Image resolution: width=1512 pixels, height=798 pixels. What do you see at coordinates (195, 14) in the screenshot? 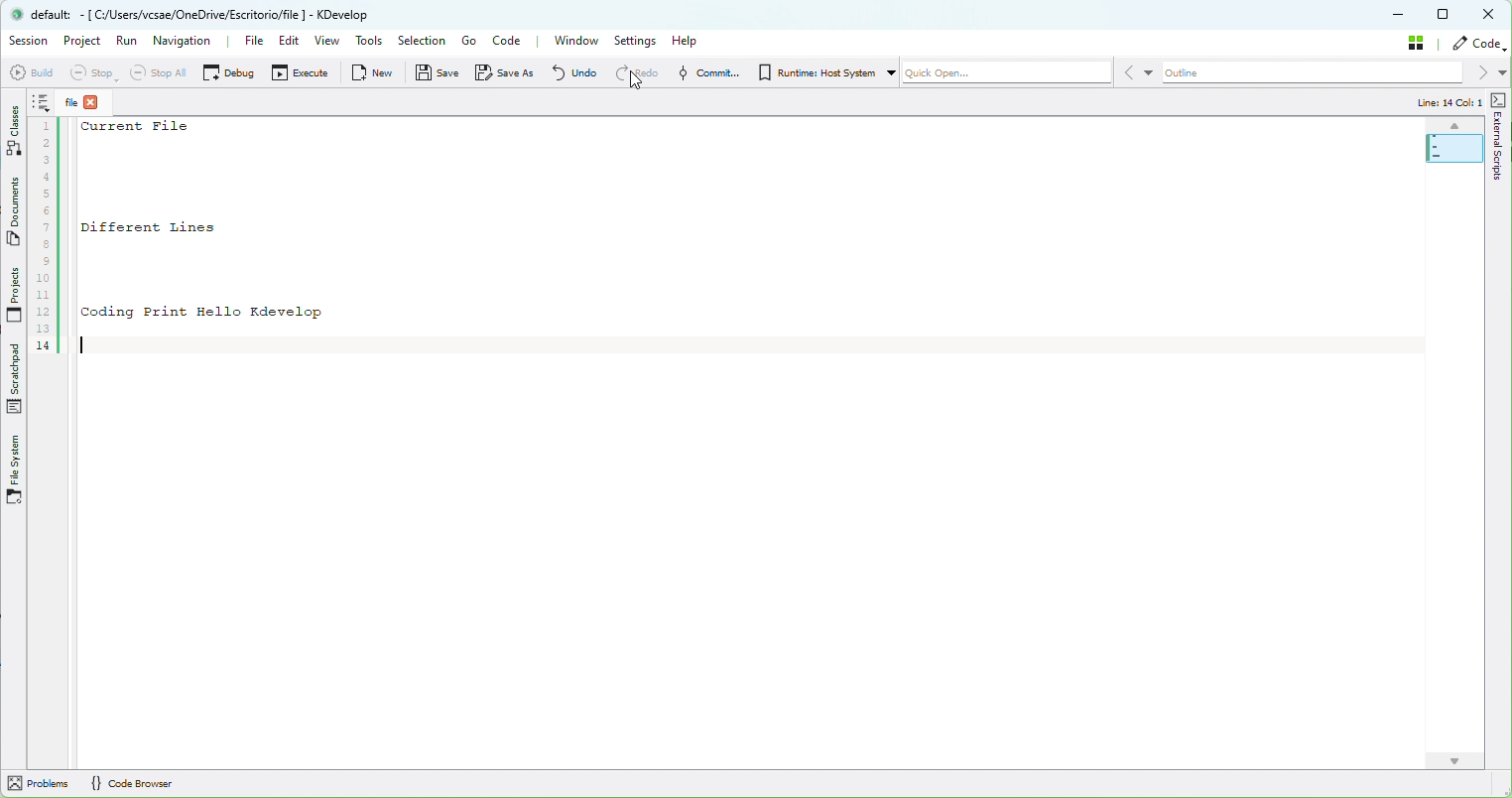
I see `default: - [ Cy/Users/vesae/OneDrive/Escritorioffile ] - KDevelop` at bounding box center [195, 14].